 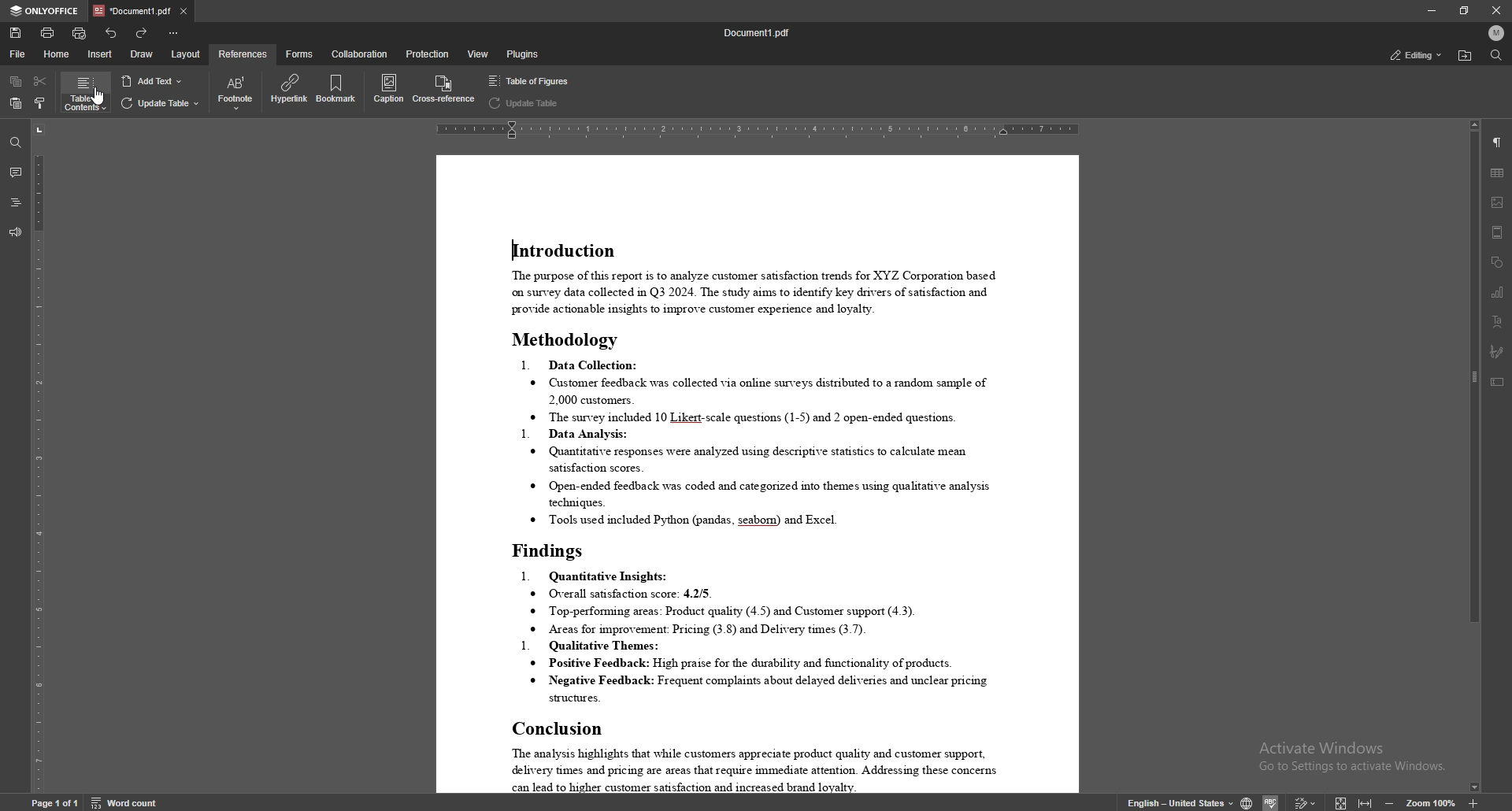 What do you see at coordinates (173, 33) in the screenshot?
I see `customize toolbar` at bounding box center [173, 33].